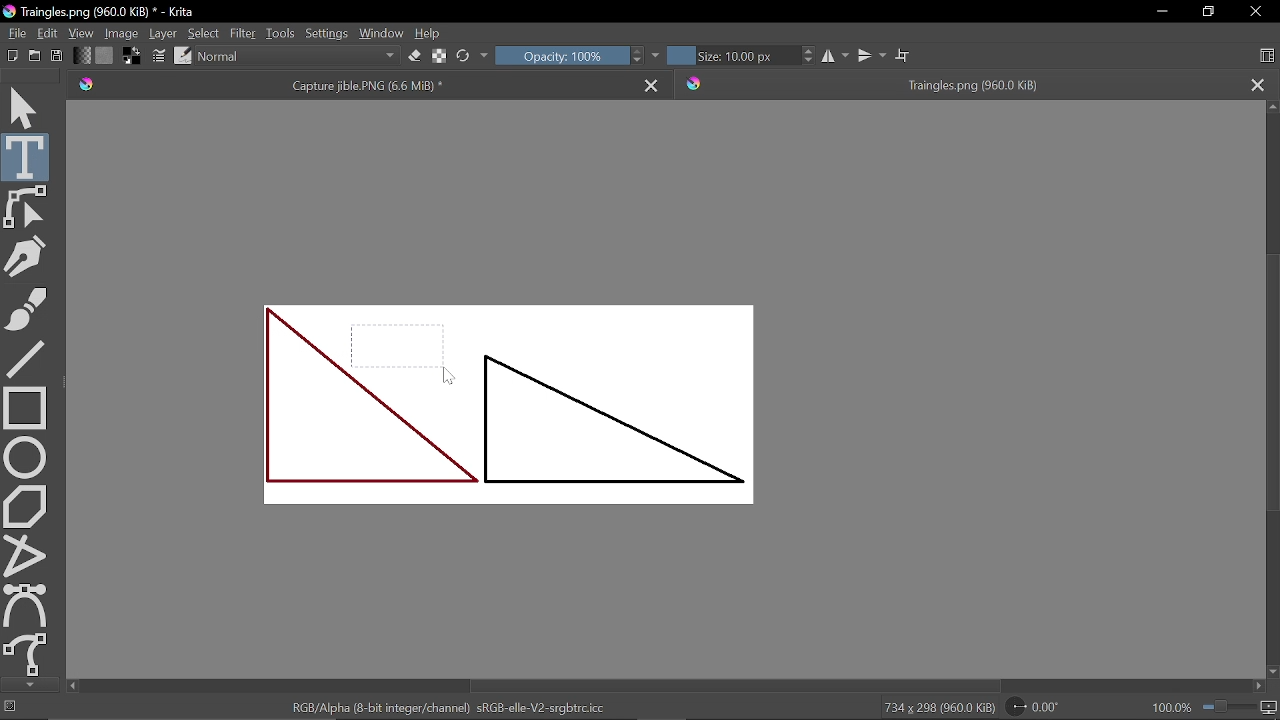 This screenshot has width=1280, height=720. I want to click on Gradient fill, so click(80, 57).